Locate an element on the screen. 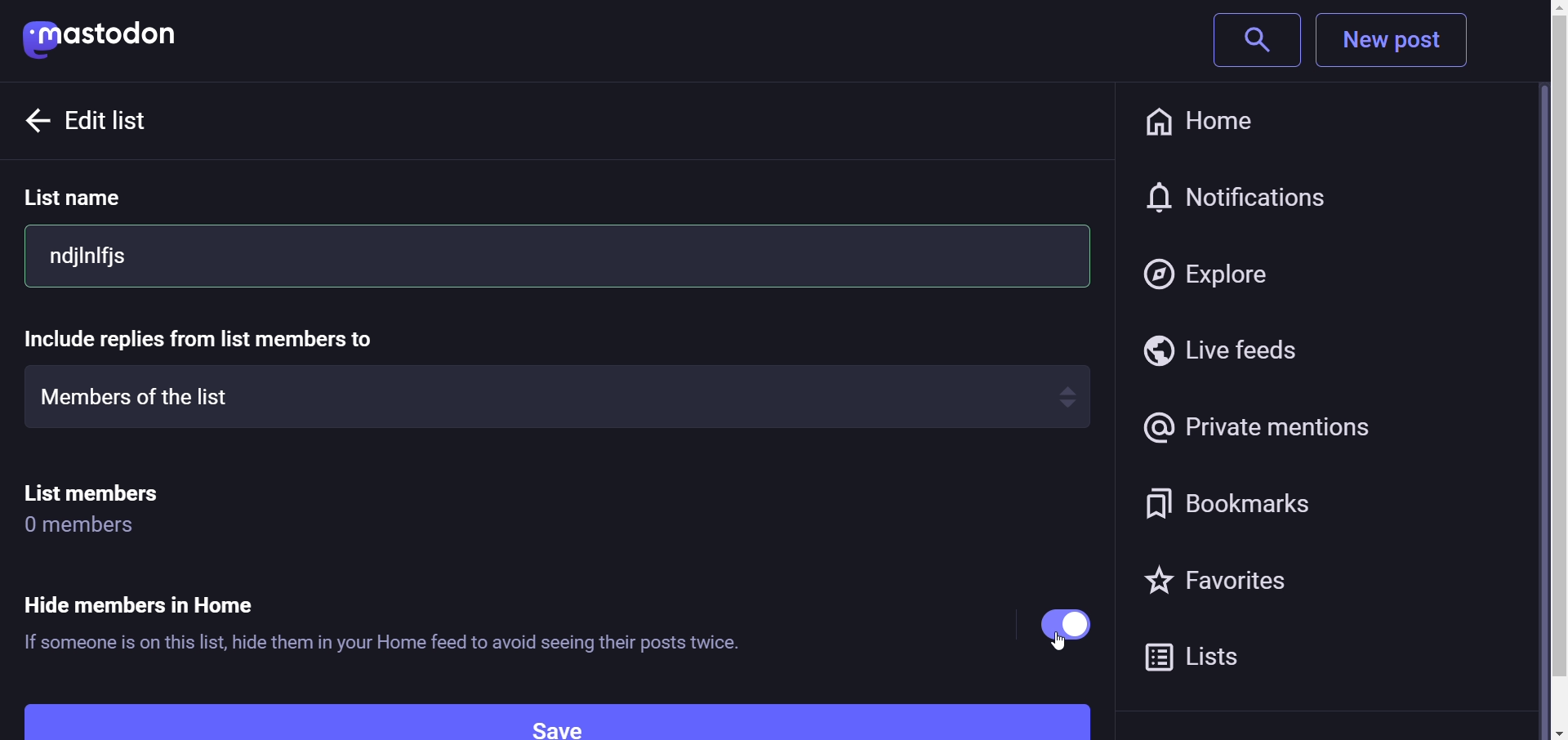  scroll up is located at coordinates (1543, 9).